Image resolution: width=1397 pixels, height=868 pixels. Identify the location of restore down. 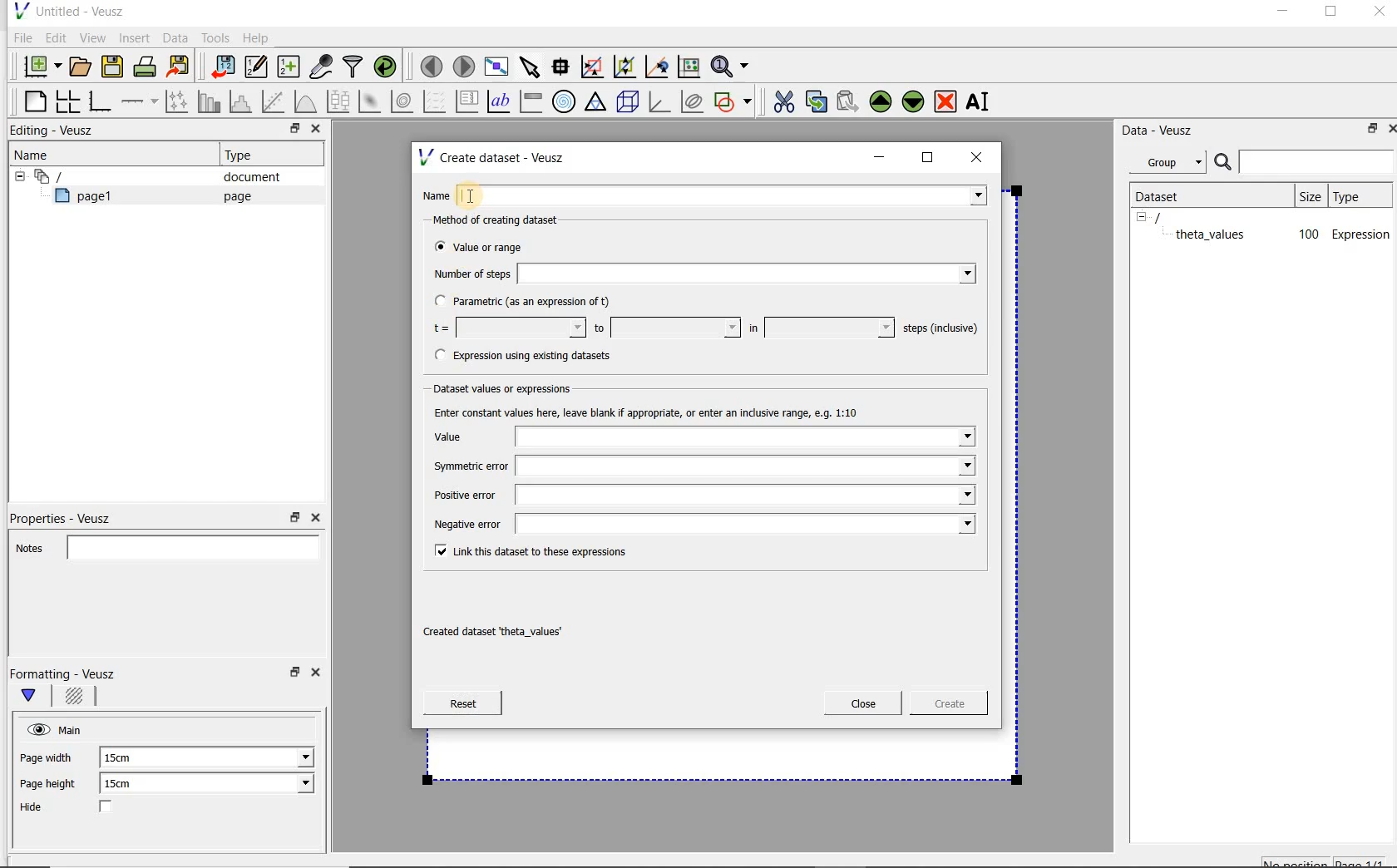
(290, 131).